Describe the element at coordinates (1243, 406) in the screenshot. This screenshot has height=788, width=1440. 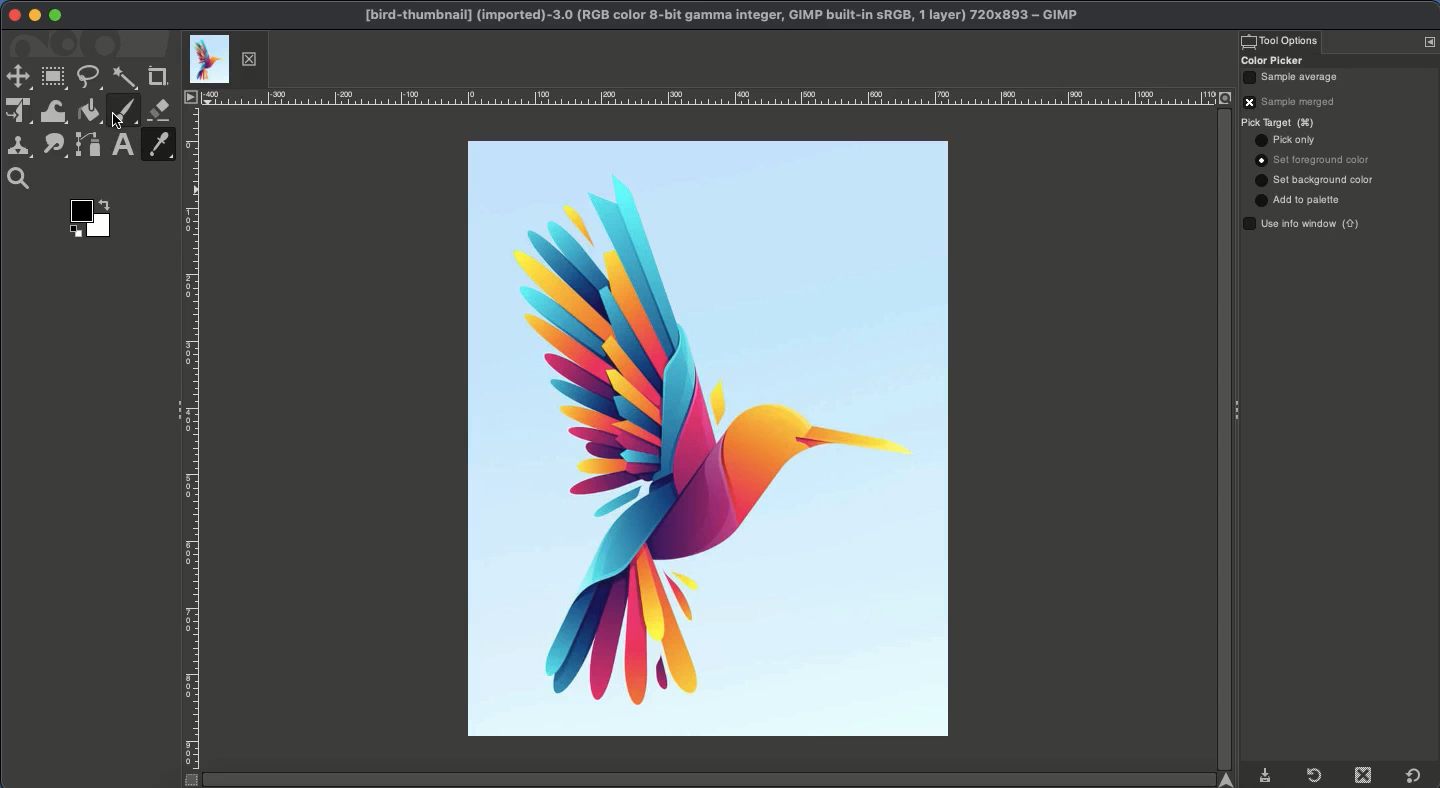
I see `Collapse` at that location.